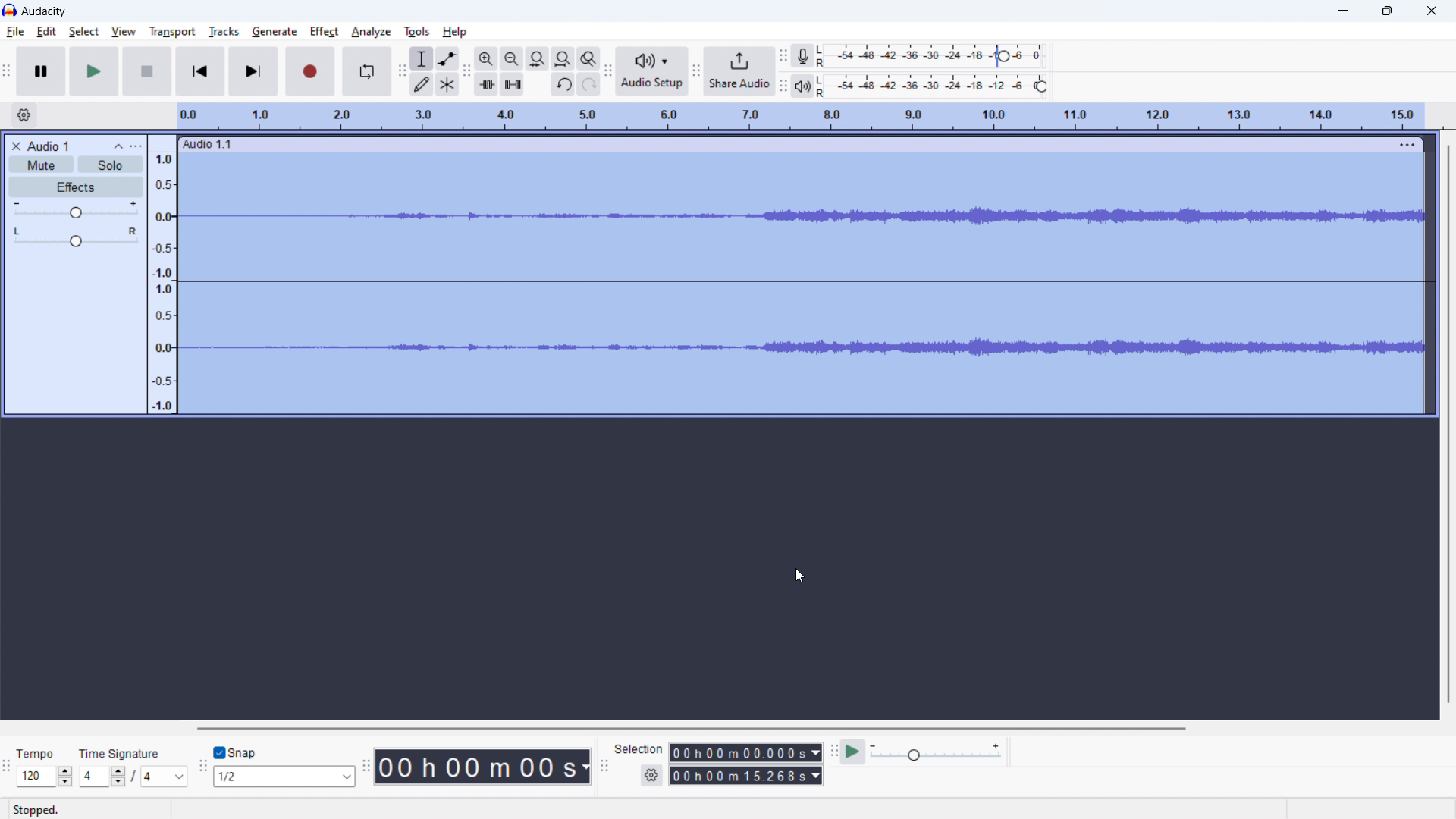 This screenshot has width=1456, height=819. Describe the element at coordinates (235, 752) in the screenshot. I see `toggle snap` at that location.